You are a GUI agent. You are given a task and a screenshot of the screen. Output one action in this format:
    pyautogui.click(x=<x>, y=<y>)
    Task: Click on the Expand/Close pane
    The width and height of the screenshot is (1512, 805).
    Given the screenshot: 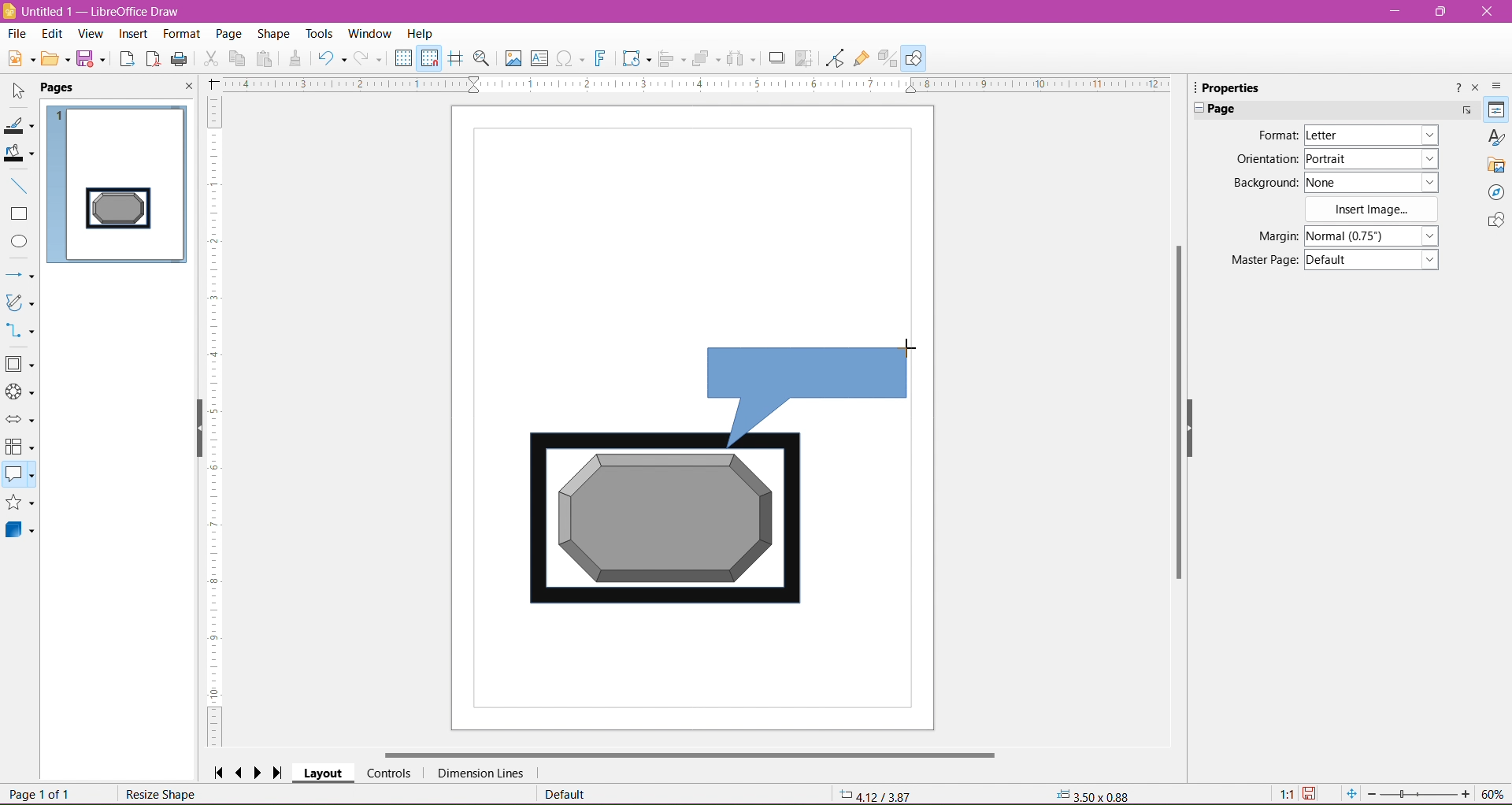 What is the action you would take?
    pyautogui.click(x=1195, y=109)
    